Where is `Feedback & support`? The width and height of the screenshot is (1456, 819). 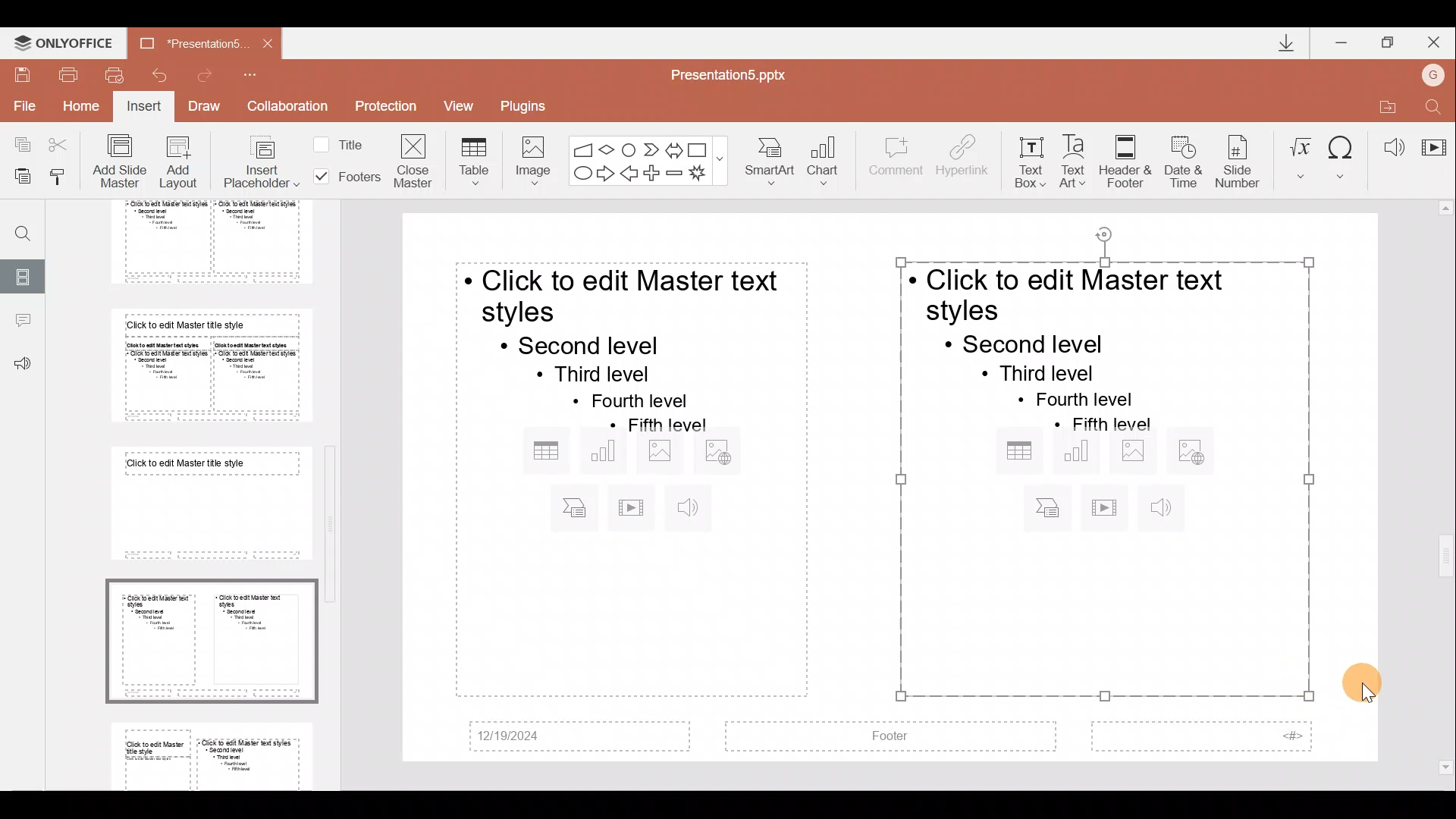
Feedback & support is located at coordinates (23, 365).